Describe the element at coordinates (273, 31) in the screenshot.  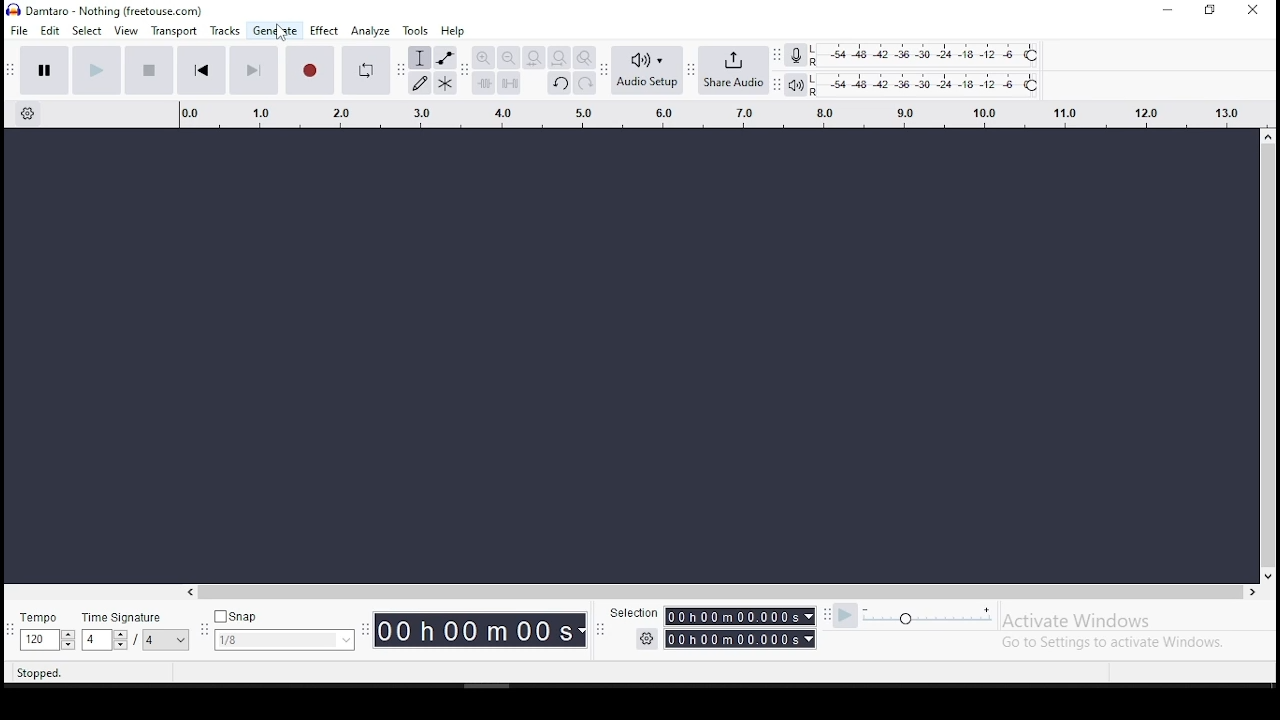
I see `generate` at that location.